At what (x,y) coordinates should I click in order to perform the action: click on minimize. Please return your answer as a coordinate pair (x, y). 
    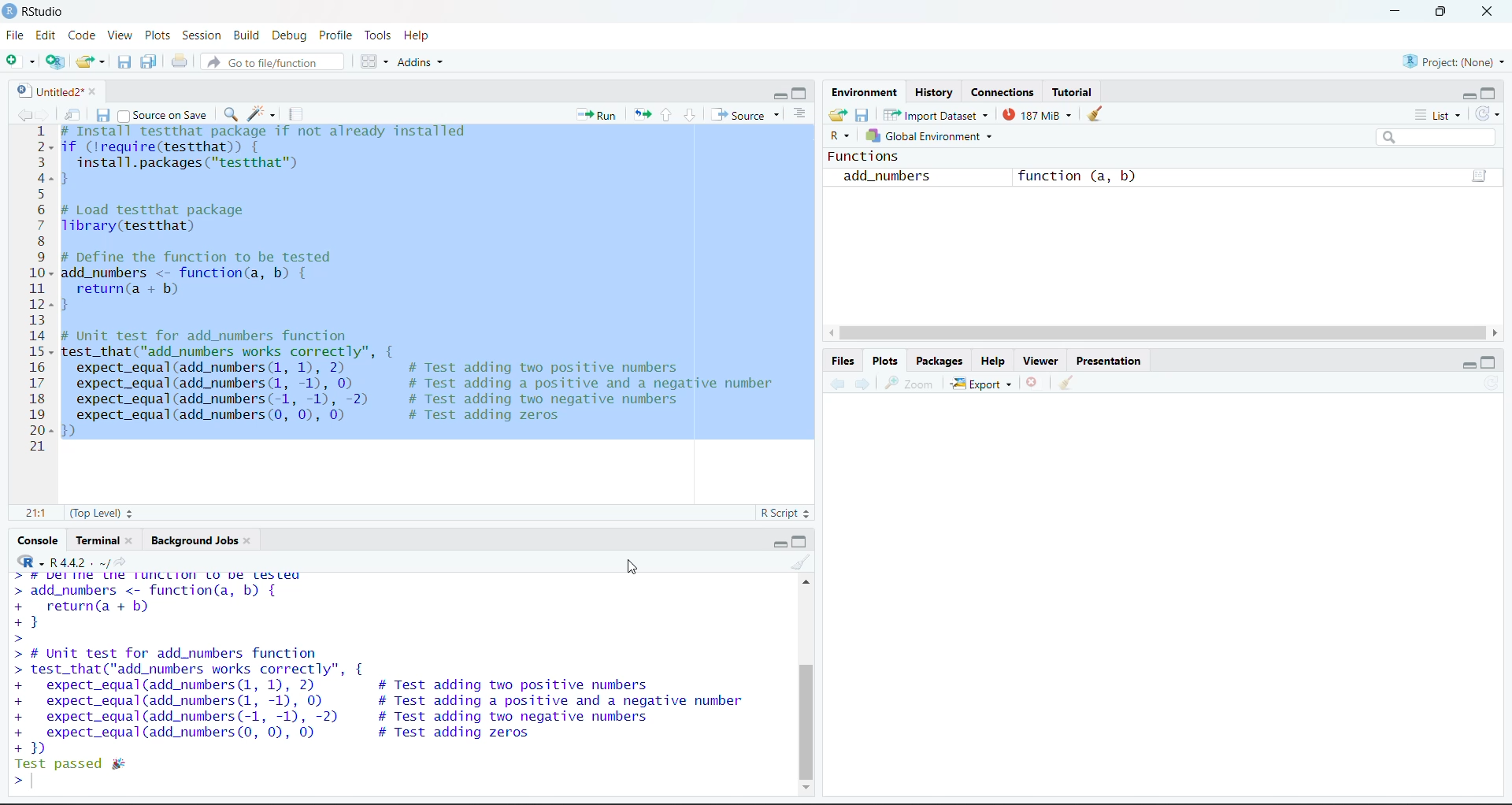
    Looking at the image, I should click on (780, 542).